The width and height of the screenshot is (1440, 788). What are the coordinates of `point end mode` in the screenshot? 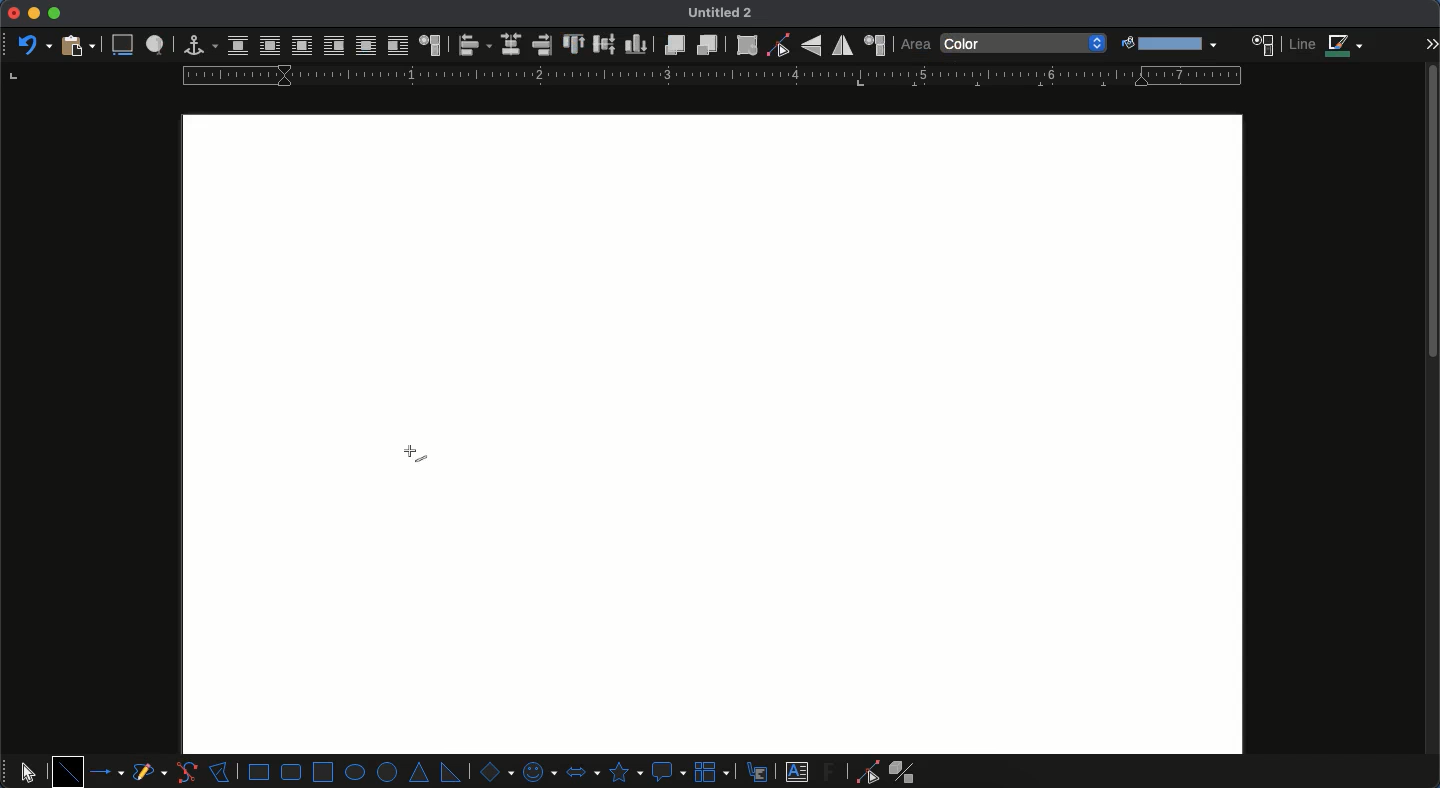 It's located at (864, 772).